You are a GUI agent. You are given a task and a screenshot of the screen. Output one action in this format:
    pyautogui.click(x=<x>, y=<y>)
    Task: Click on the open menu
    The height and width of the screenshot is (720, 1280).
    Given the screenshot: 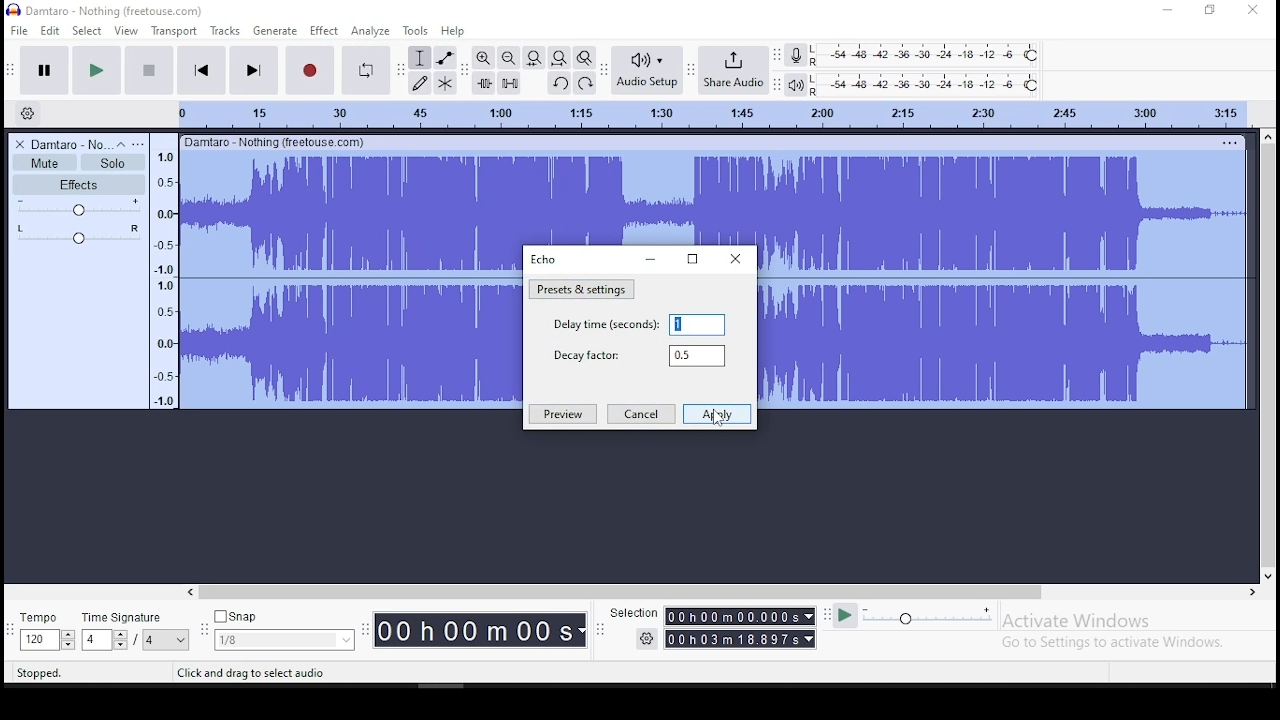 What is the action you would take?
    pyautogui.click(x=141, y=142)
    